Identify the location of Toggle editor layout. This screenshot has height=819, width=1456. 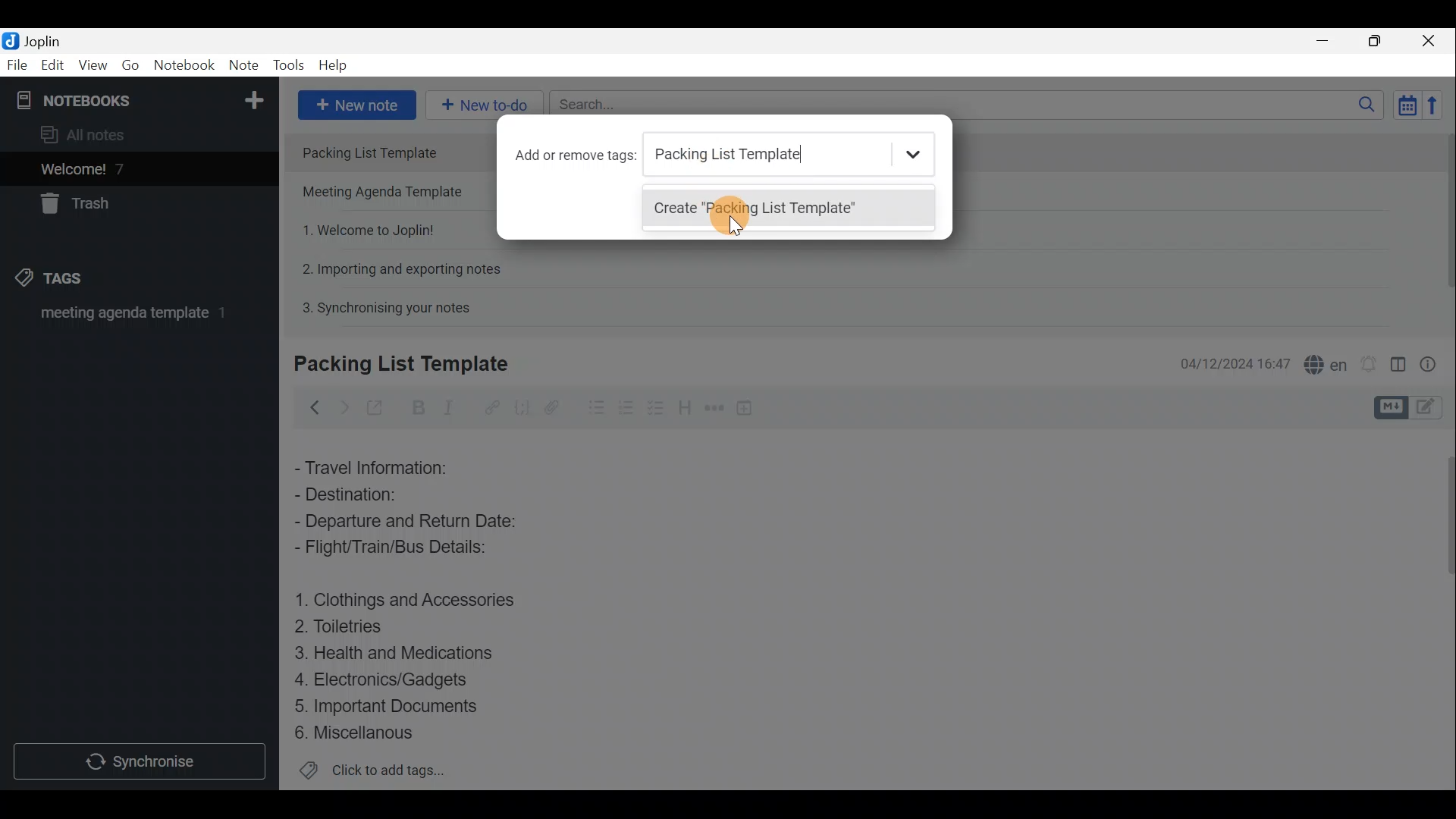
(1398, 359).